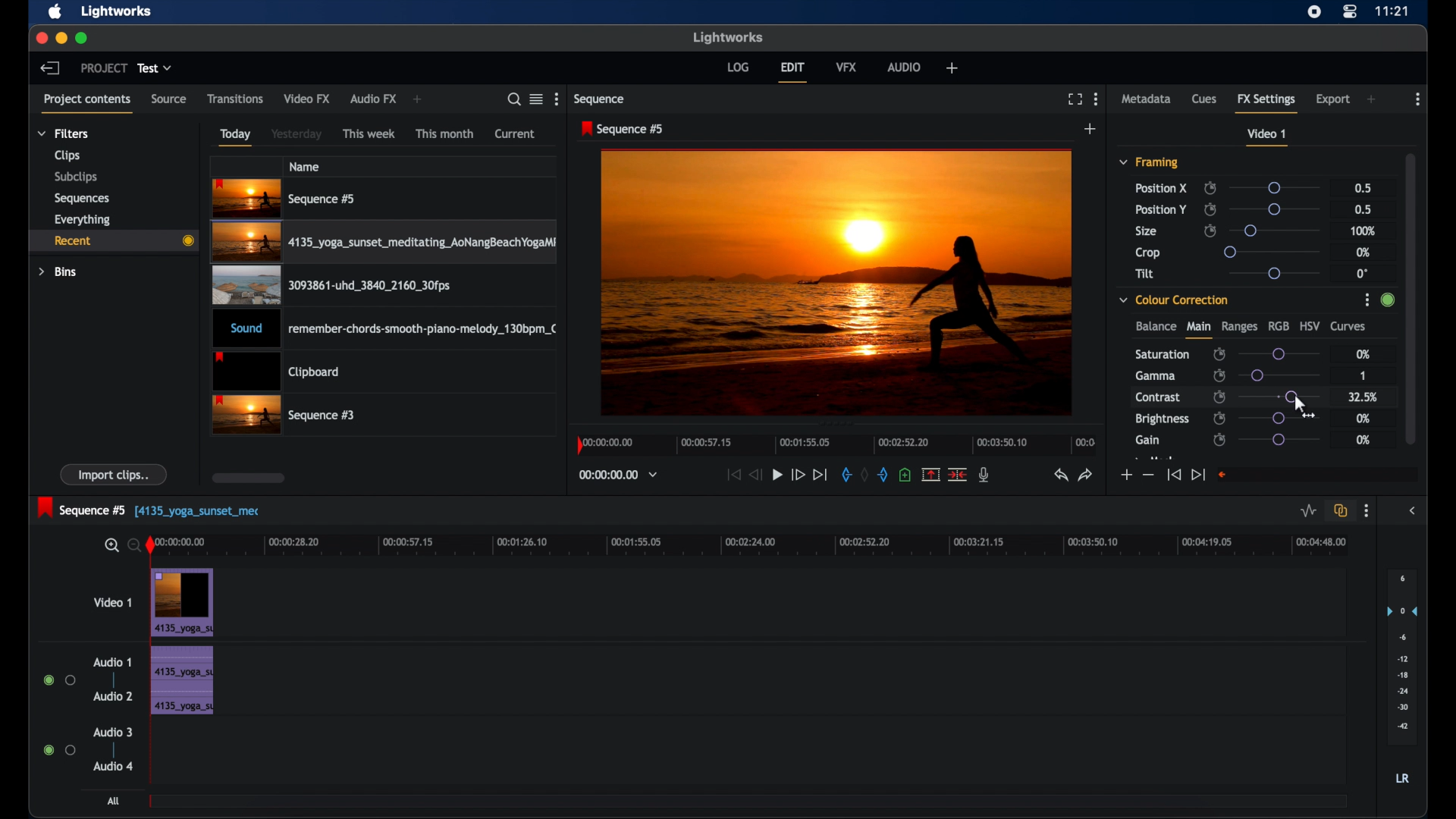  Describe the element at coordinates (1239, 327) in the screenshot. I see `ranges` at that location.